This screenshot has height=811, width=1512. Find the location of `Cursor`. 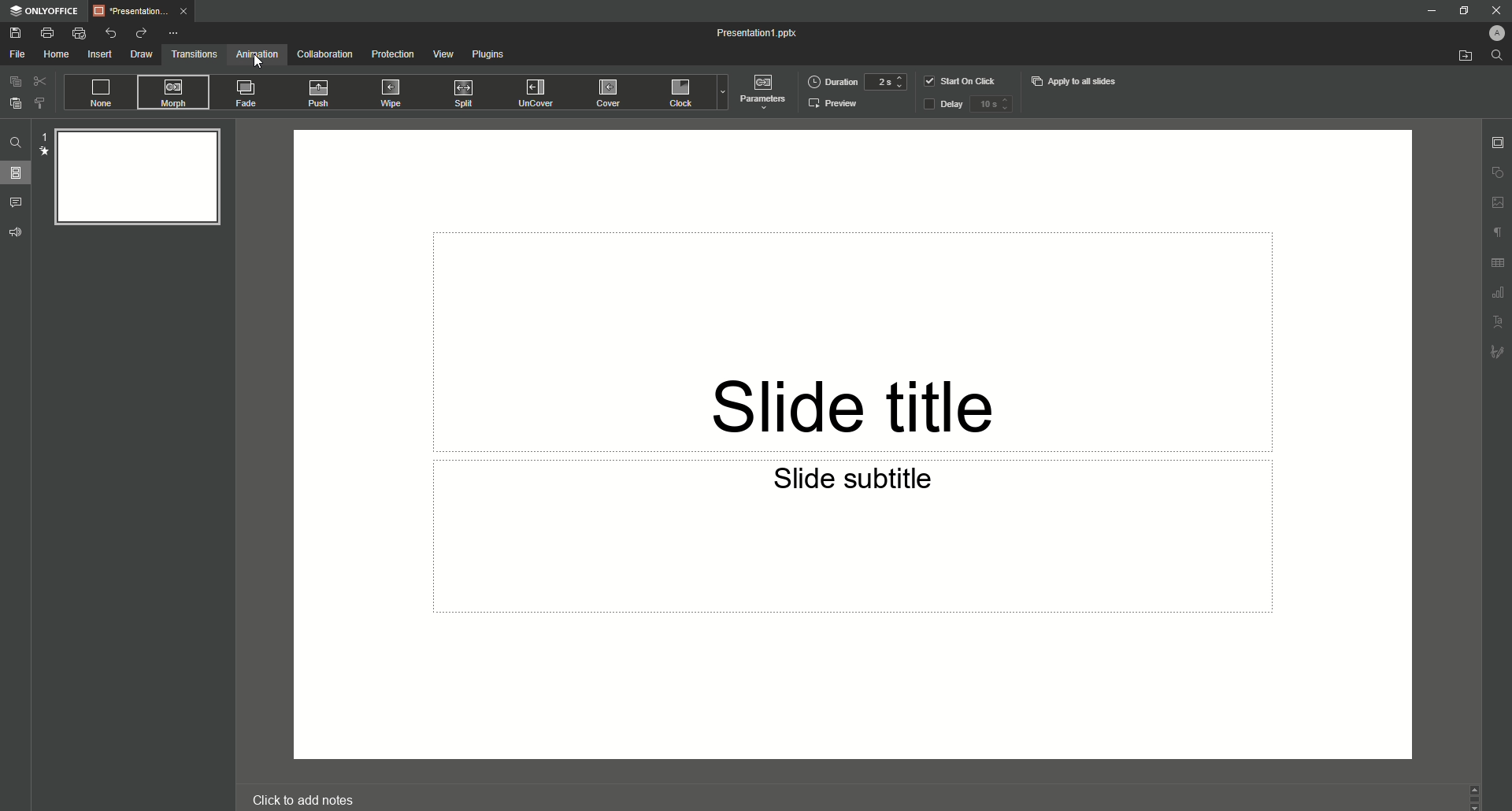

Cursor is located at coordinates (261, 63).